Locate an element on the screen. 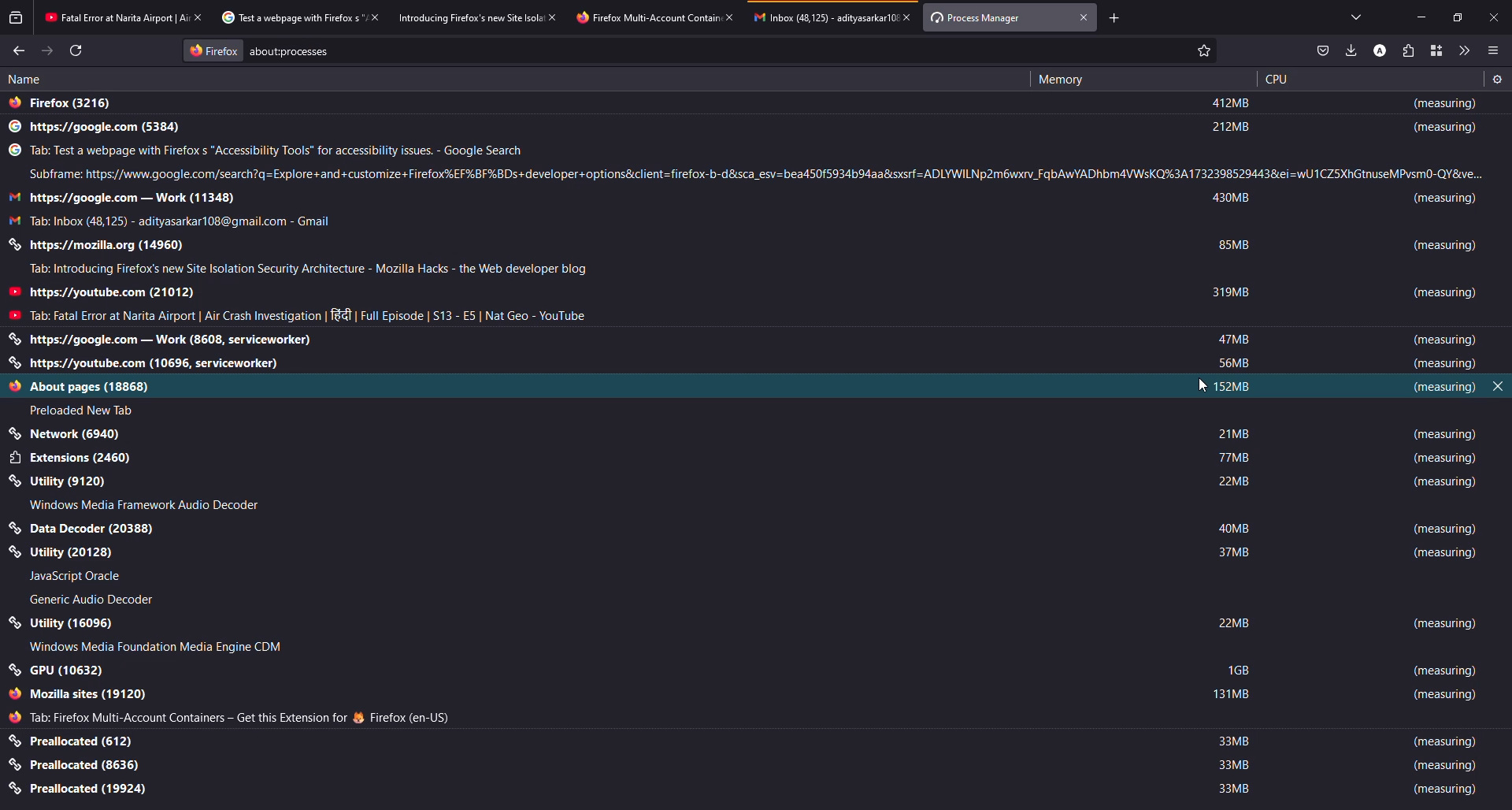 The image size is (1512, 810). add is located at coordinates (1116, 18).